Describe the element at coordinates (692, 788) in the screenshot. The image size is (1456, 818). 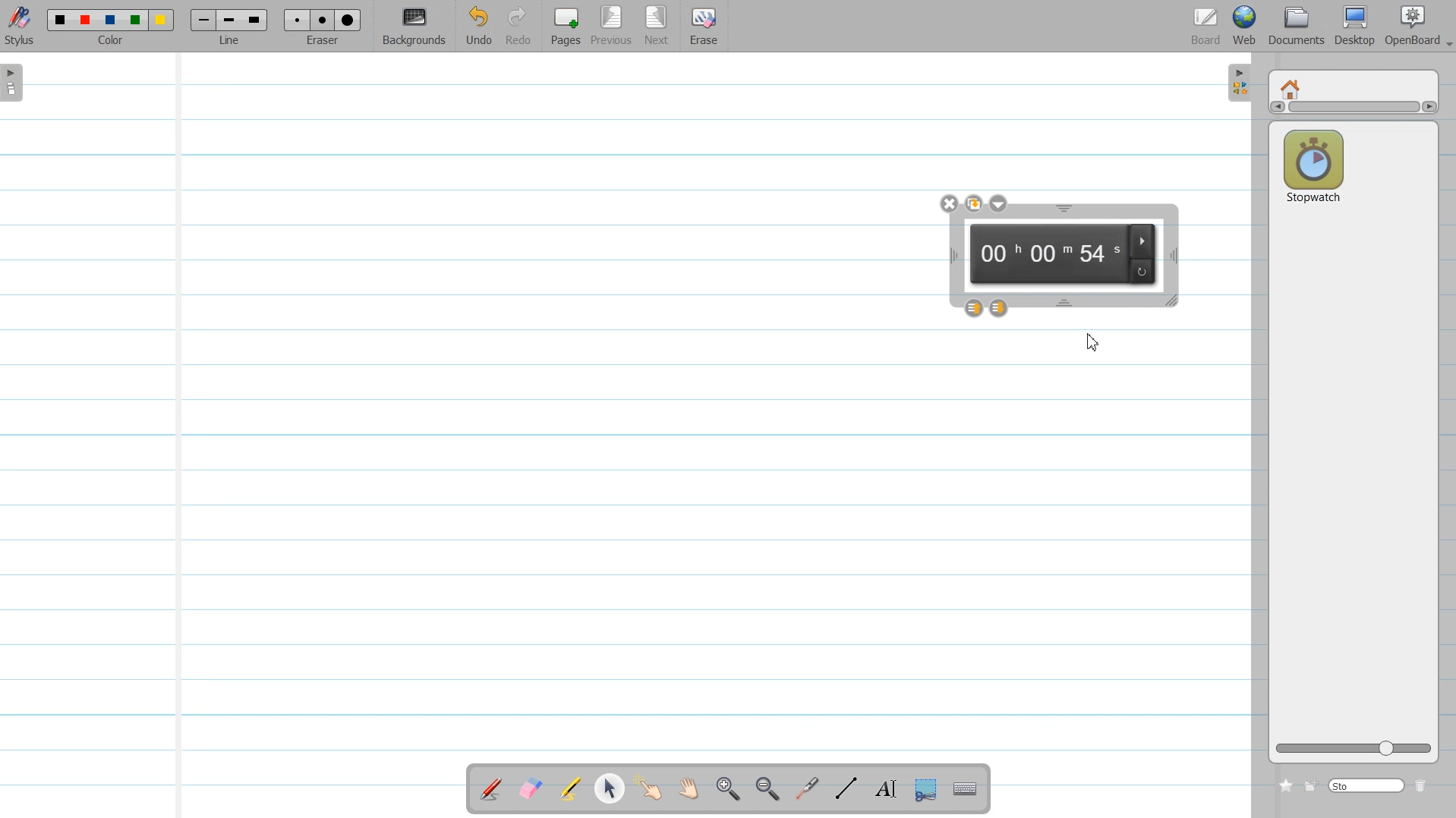
I see `Scroll Page` at that location.